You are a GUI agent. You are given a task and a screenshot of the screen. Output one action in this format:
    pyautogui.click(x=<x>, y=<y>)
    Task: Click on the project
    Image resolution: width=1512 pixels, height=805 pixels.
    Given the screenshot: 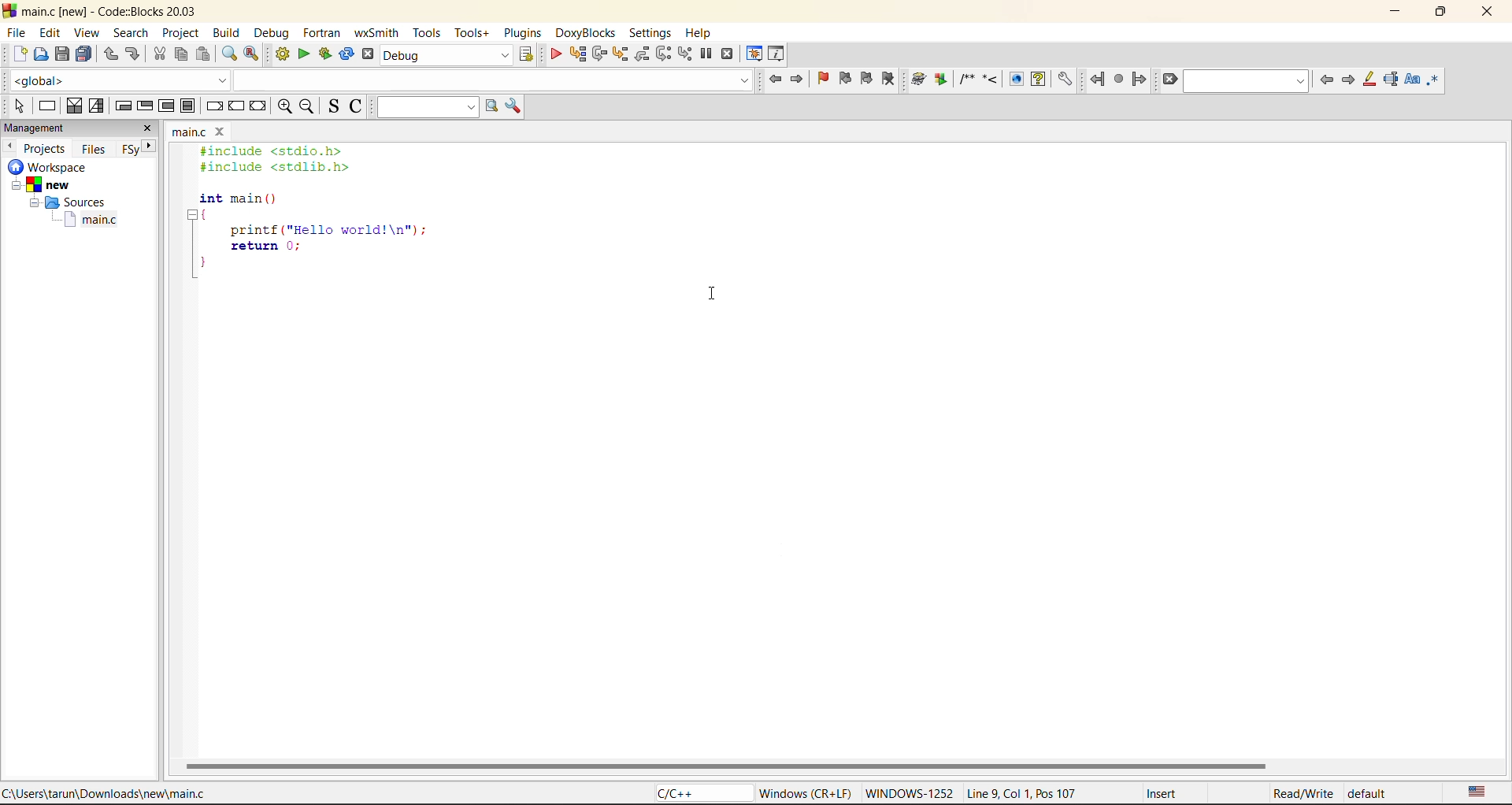 What is the action you would take?
    pyautogui.click(x=180, y=34)
    